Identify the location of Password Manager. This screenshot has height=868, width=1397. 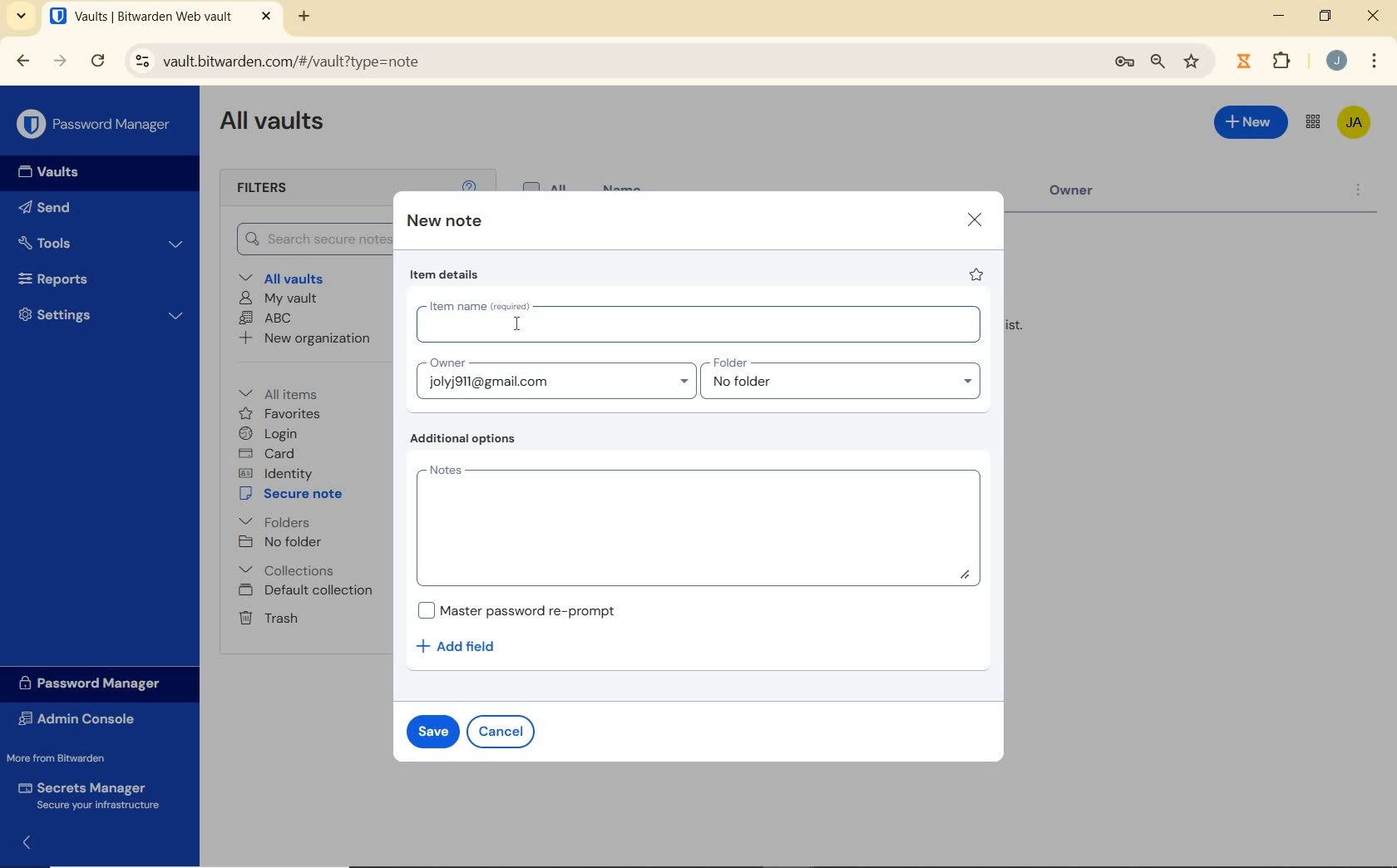
(95, 125).